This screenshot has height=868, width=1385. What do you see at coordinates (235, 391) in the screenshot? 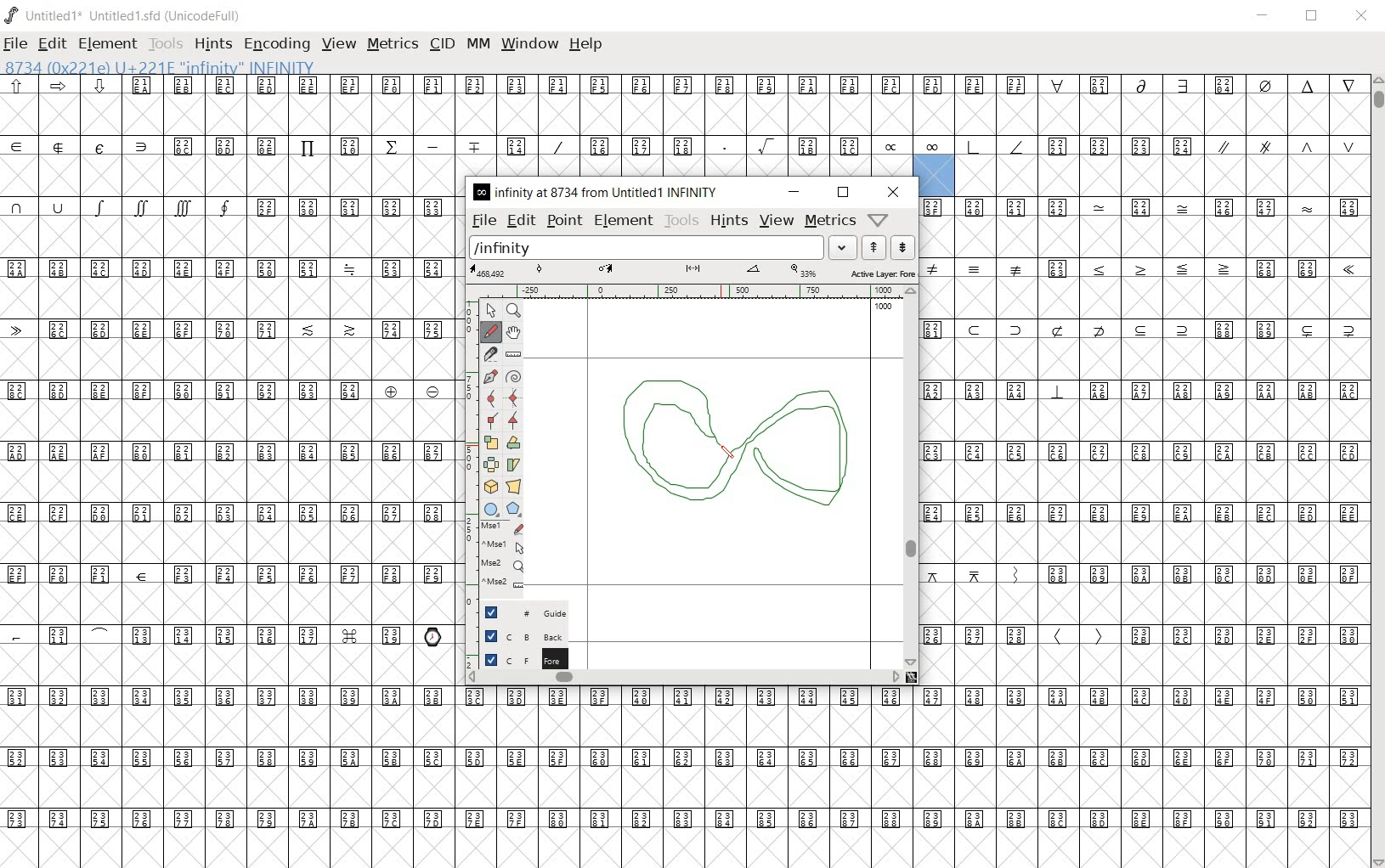
I see `Unicode code points` at bounding box center [235, 391].